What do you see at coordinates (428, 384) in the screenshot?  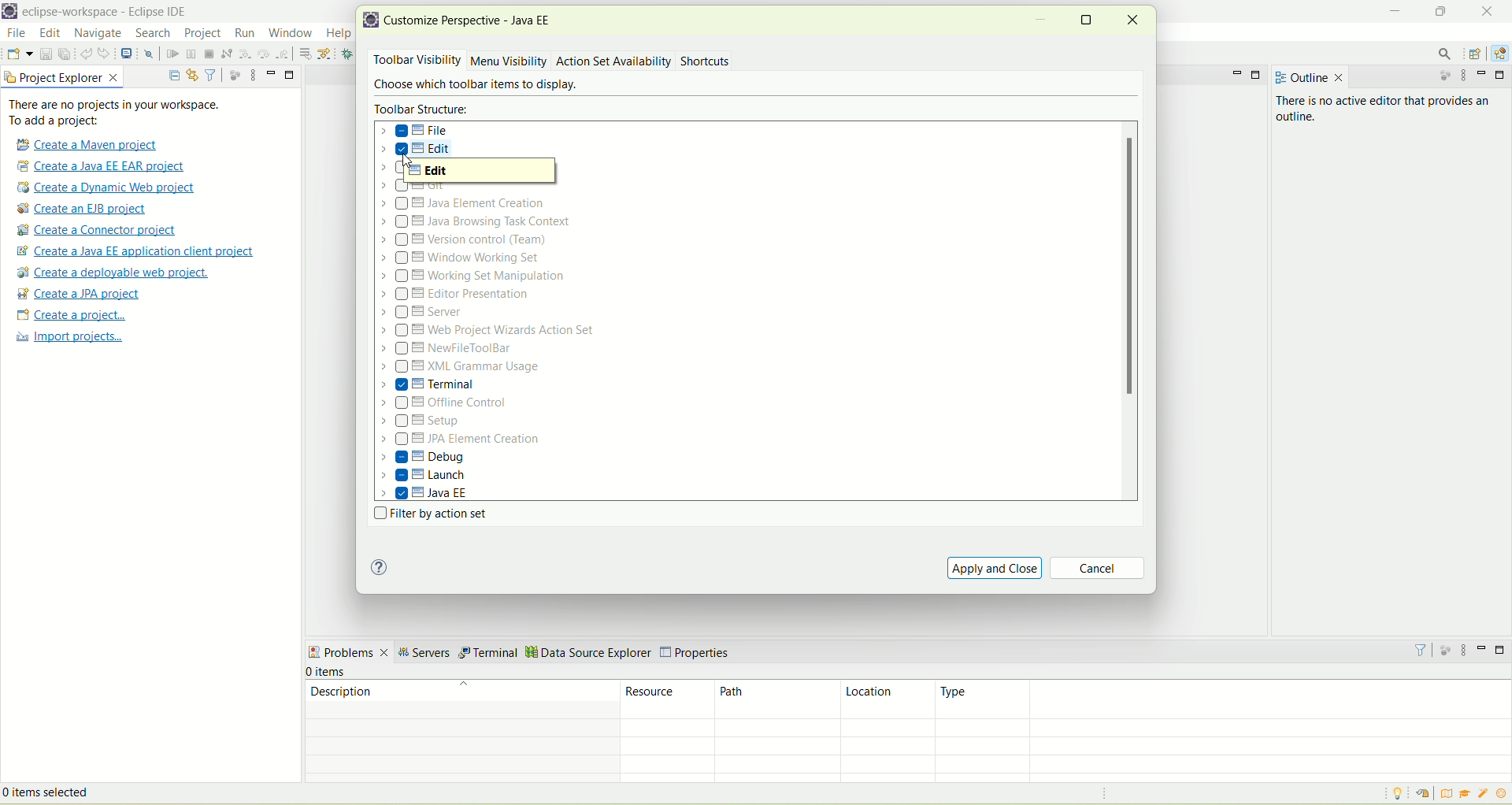 I see `terminal` at bounding box center [428, 384].